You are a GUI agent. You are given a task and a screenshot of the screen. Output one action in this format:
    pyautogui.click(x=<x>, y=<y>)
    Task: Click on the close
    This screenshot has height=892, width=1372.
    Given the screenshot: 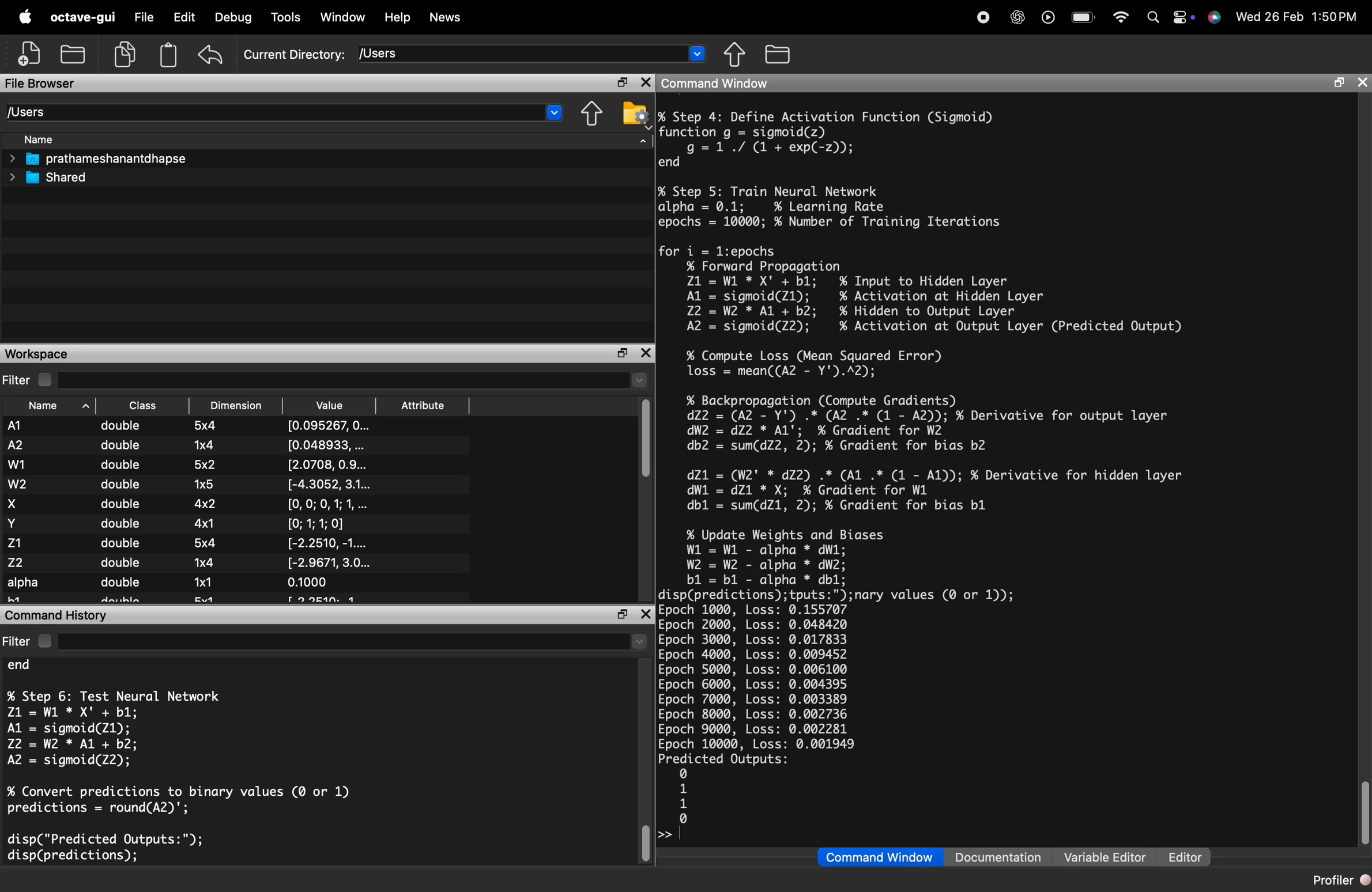 What is the action you would take?
    pyautogui.click(x=644, y=614)
    